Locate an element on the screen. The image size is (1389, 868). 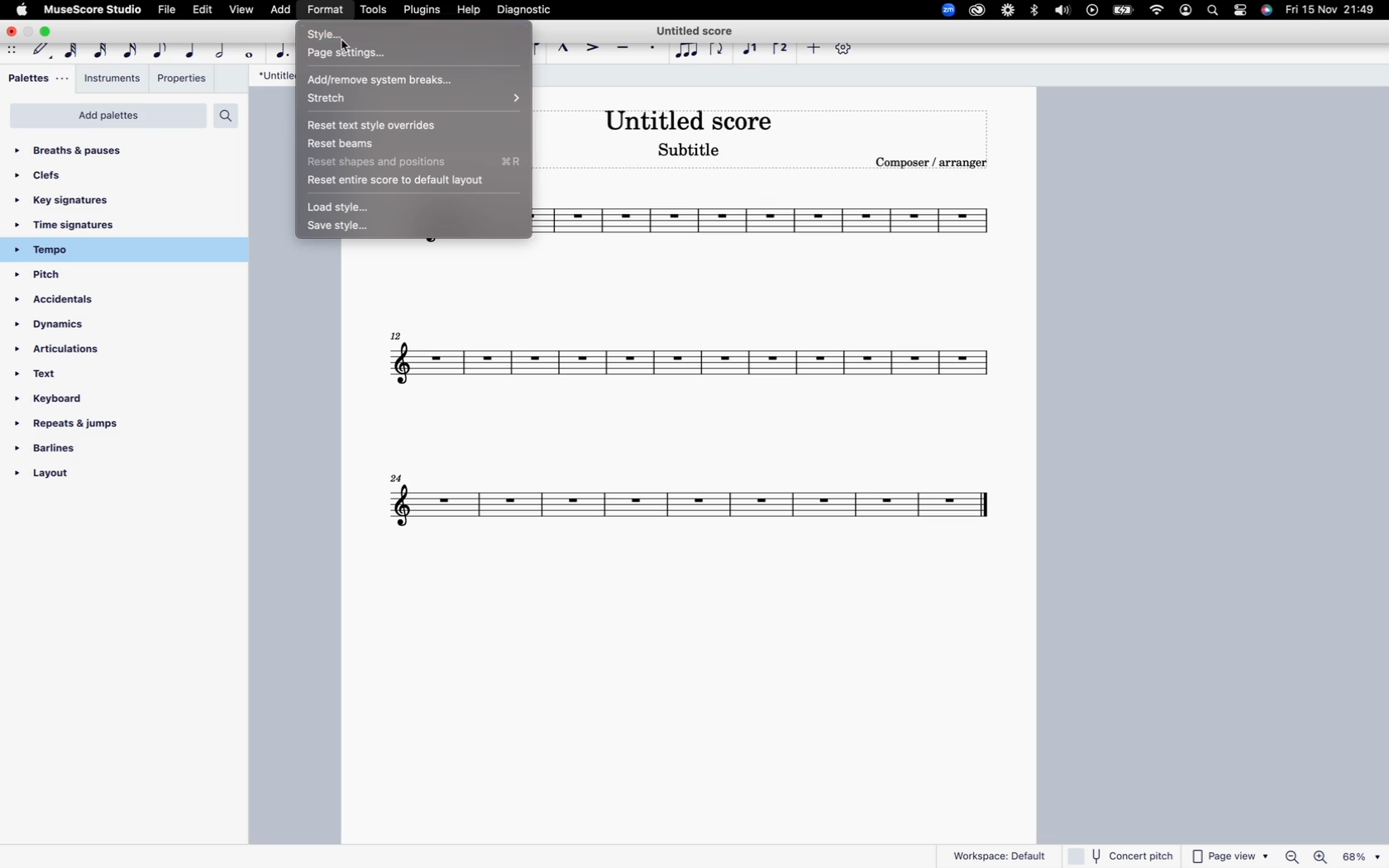
file is located at coordinates (168, 12).